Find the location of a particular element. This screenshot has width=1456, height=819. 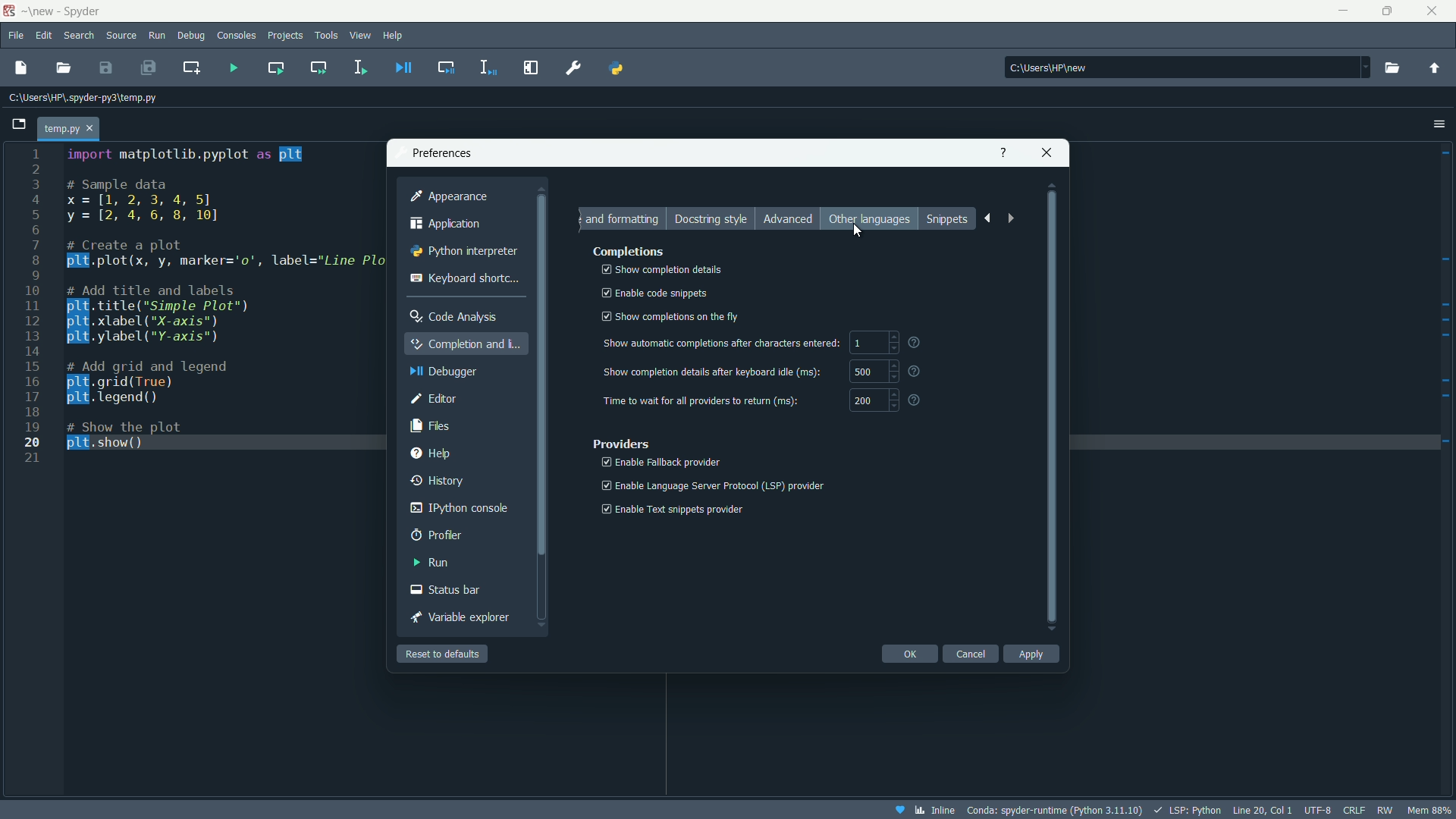

file encoding is located at coordinates (1317, 810).